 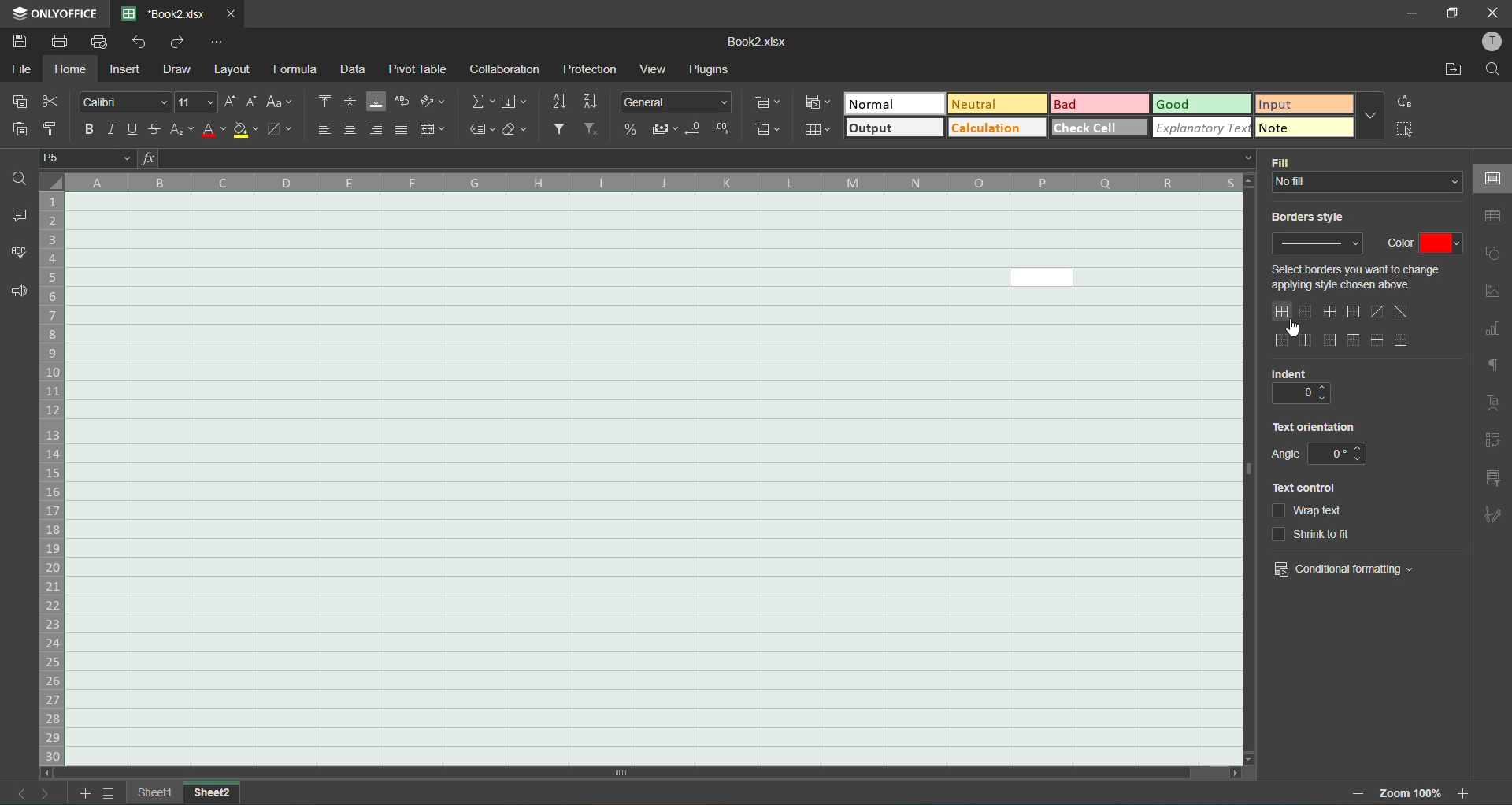 I want to click on decrement size, so click(x=252, y=103).